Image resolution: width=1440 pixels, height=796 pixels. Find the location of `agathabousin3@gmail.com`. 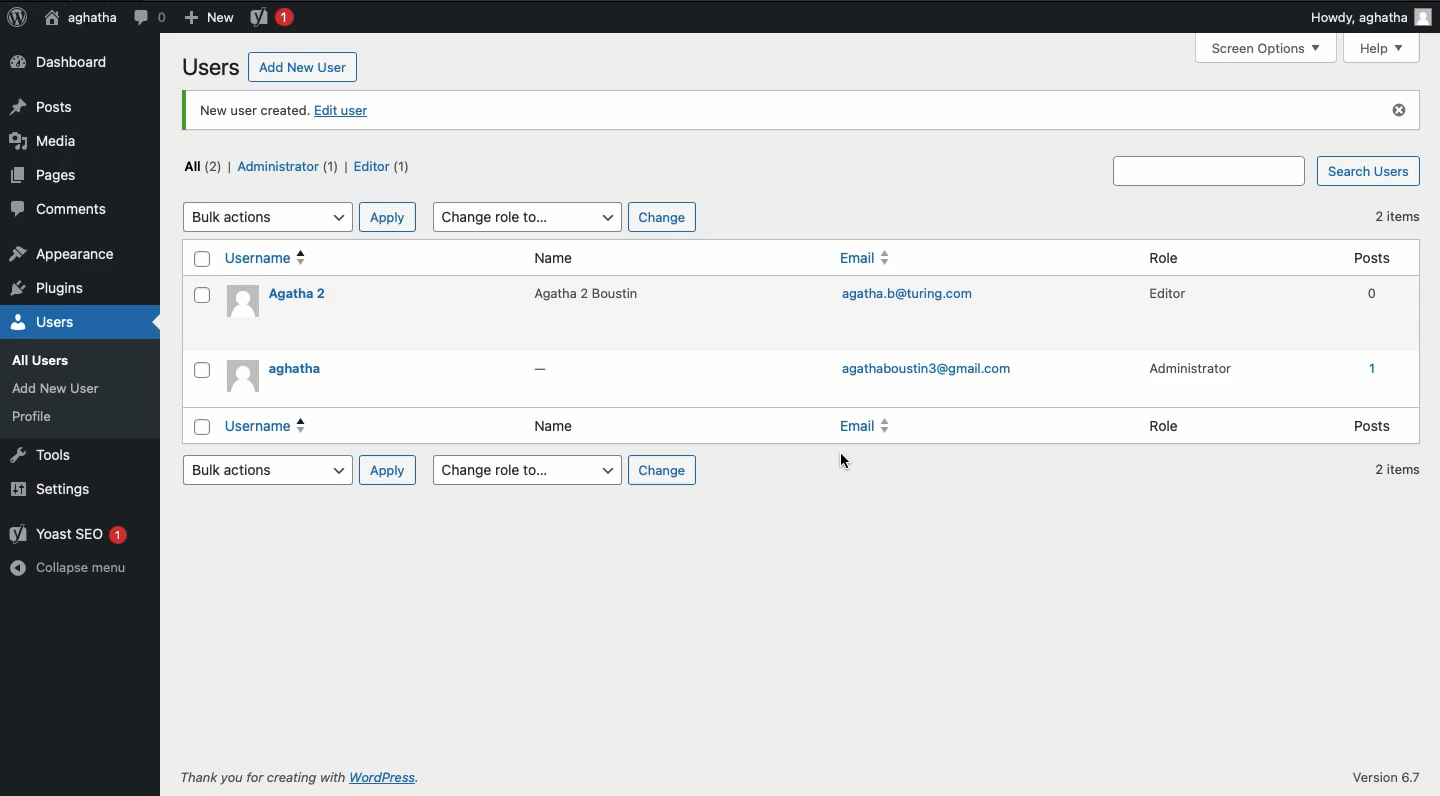

agathabousin3@gmail.com is located at coordinates (921, 373).